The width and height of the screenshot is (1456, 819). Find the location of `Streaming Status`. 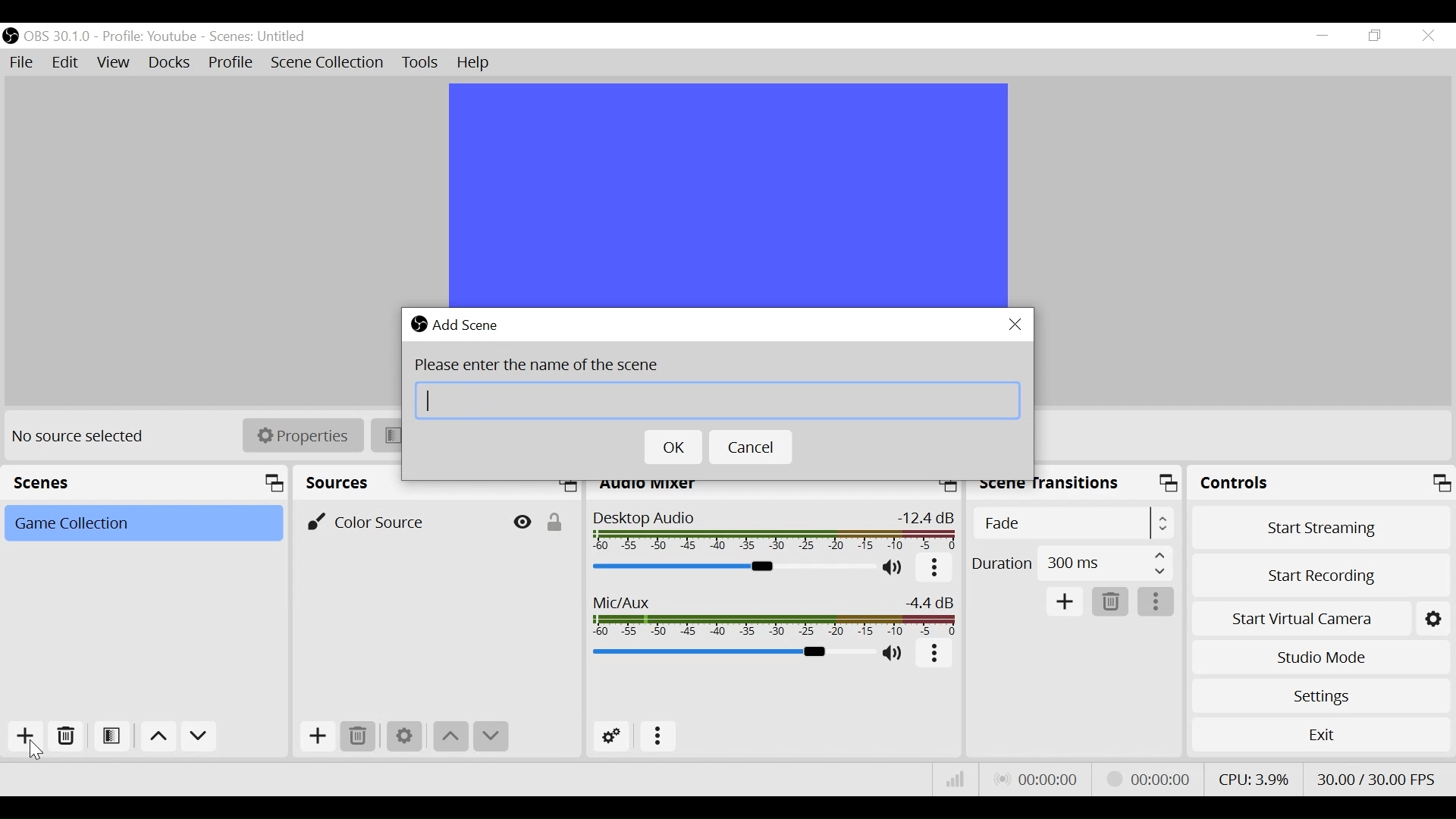

Streaming Status is located at coordinates (1145, 778).